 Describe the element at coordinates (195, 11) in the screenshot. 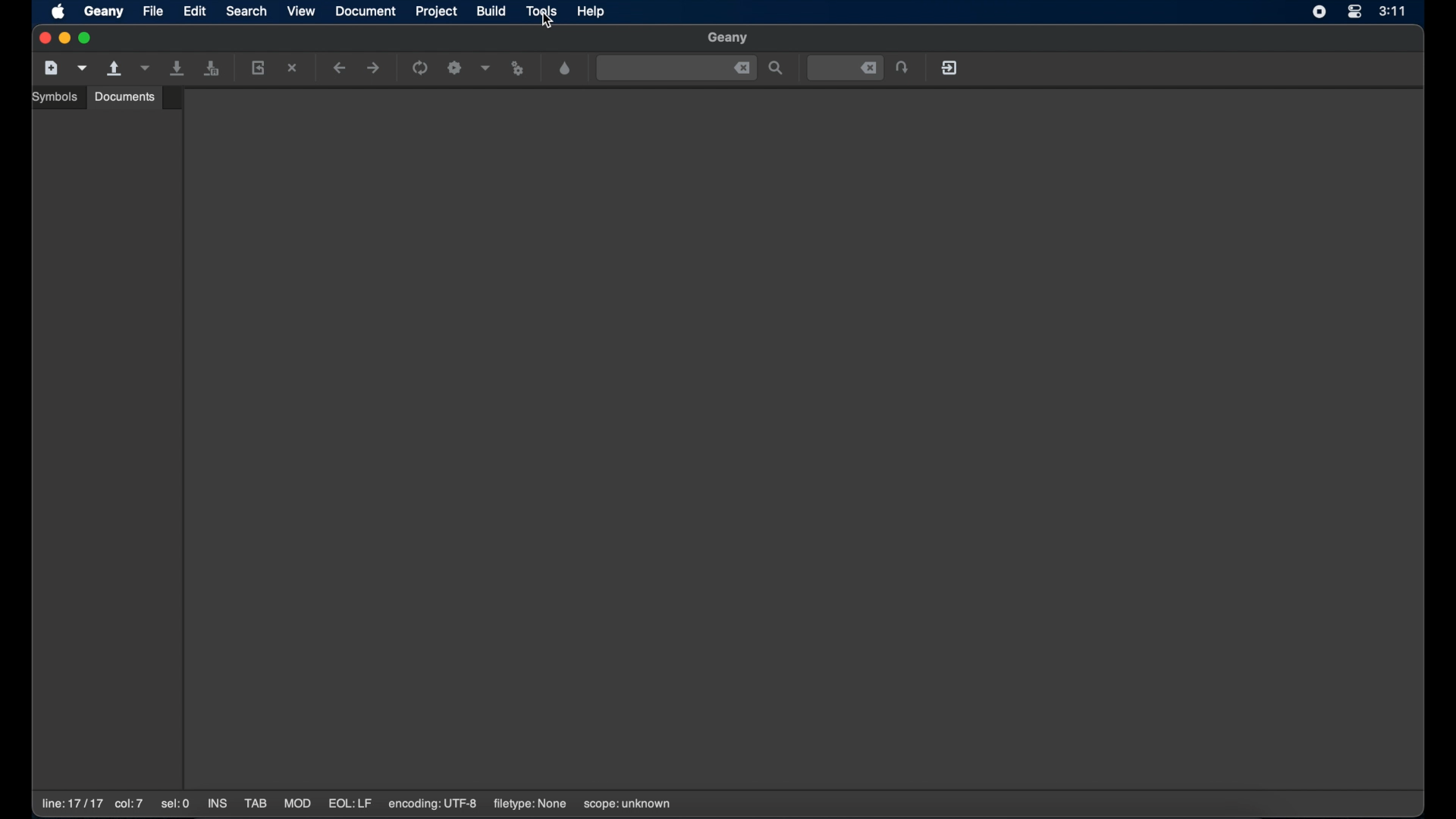

I see `edit` at that location.